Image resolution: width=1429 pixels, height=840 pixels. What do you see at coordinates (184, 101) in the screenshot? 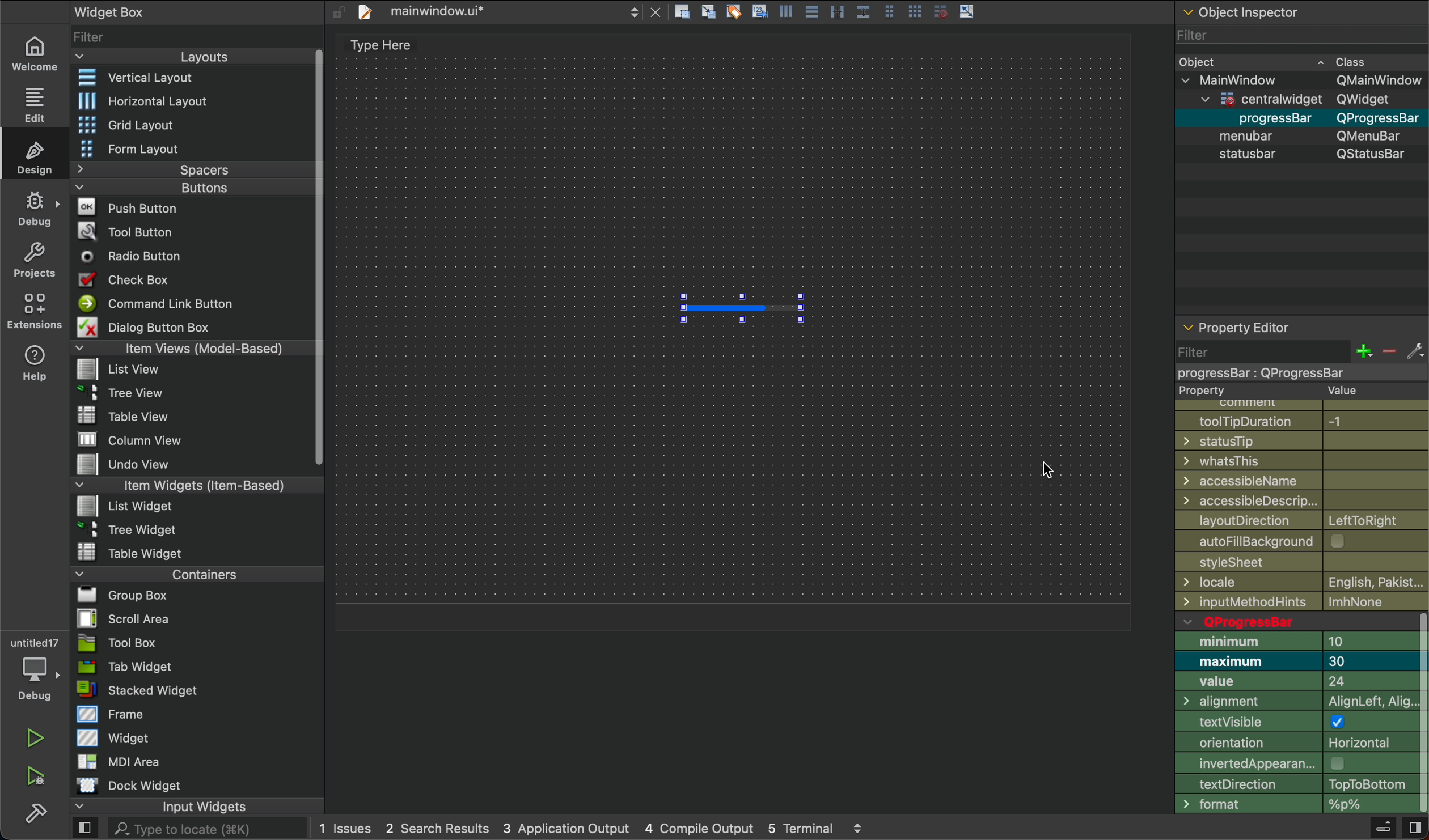
I see `Horizontal Layout` at bounding box center [184, 101].